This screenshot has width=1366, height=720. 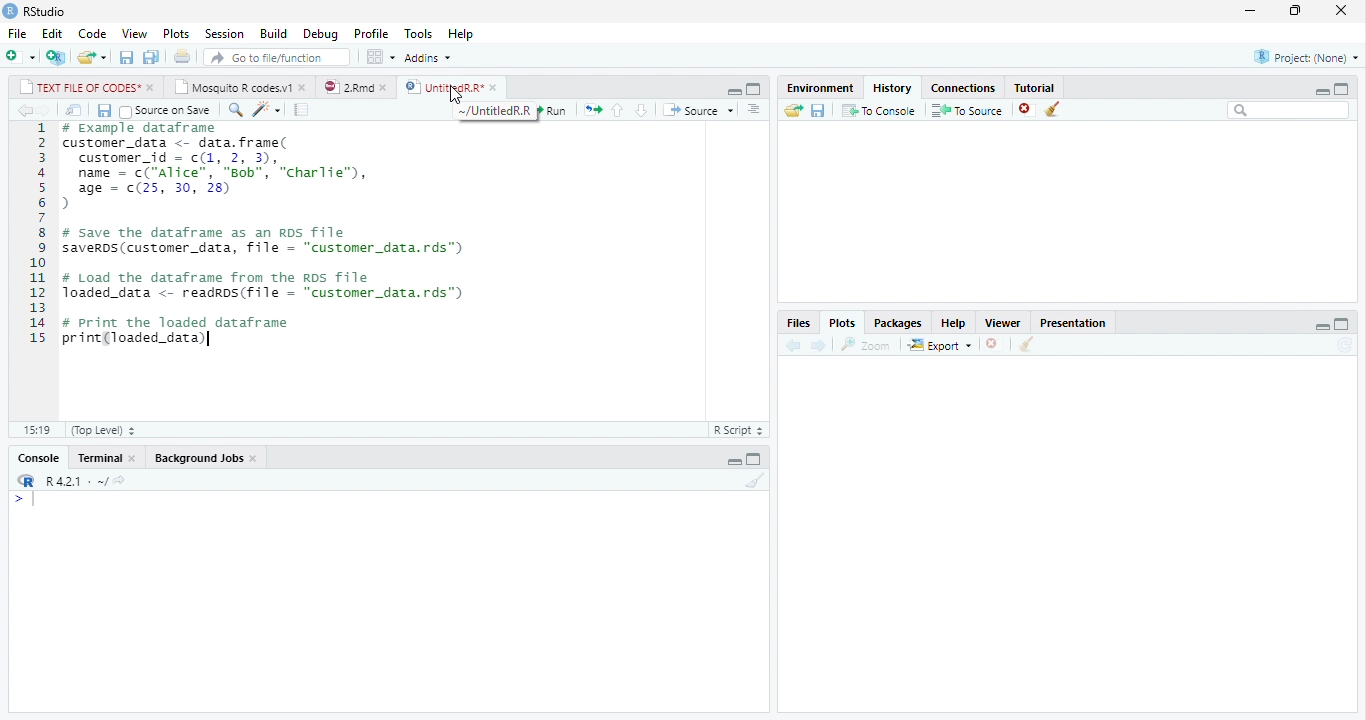 What do you see at coordinates (151, 58) in the screenshot?
I see `save all` at bounding box center [151, 58].